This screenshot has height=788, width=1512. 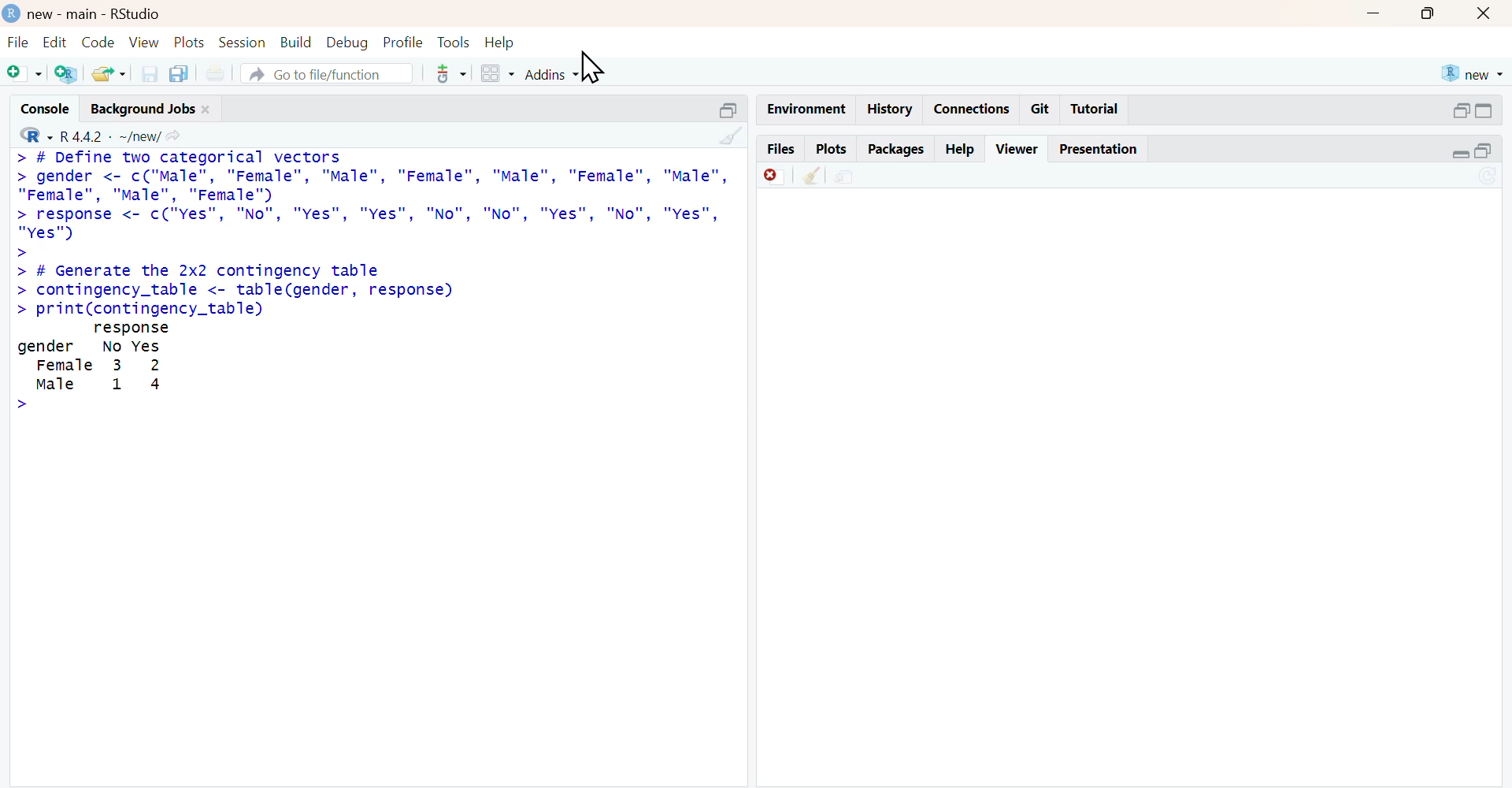 What do you see at coordinates (1042, 110) in the screenshot?
I see `git` at bounding box center [1042, 110].